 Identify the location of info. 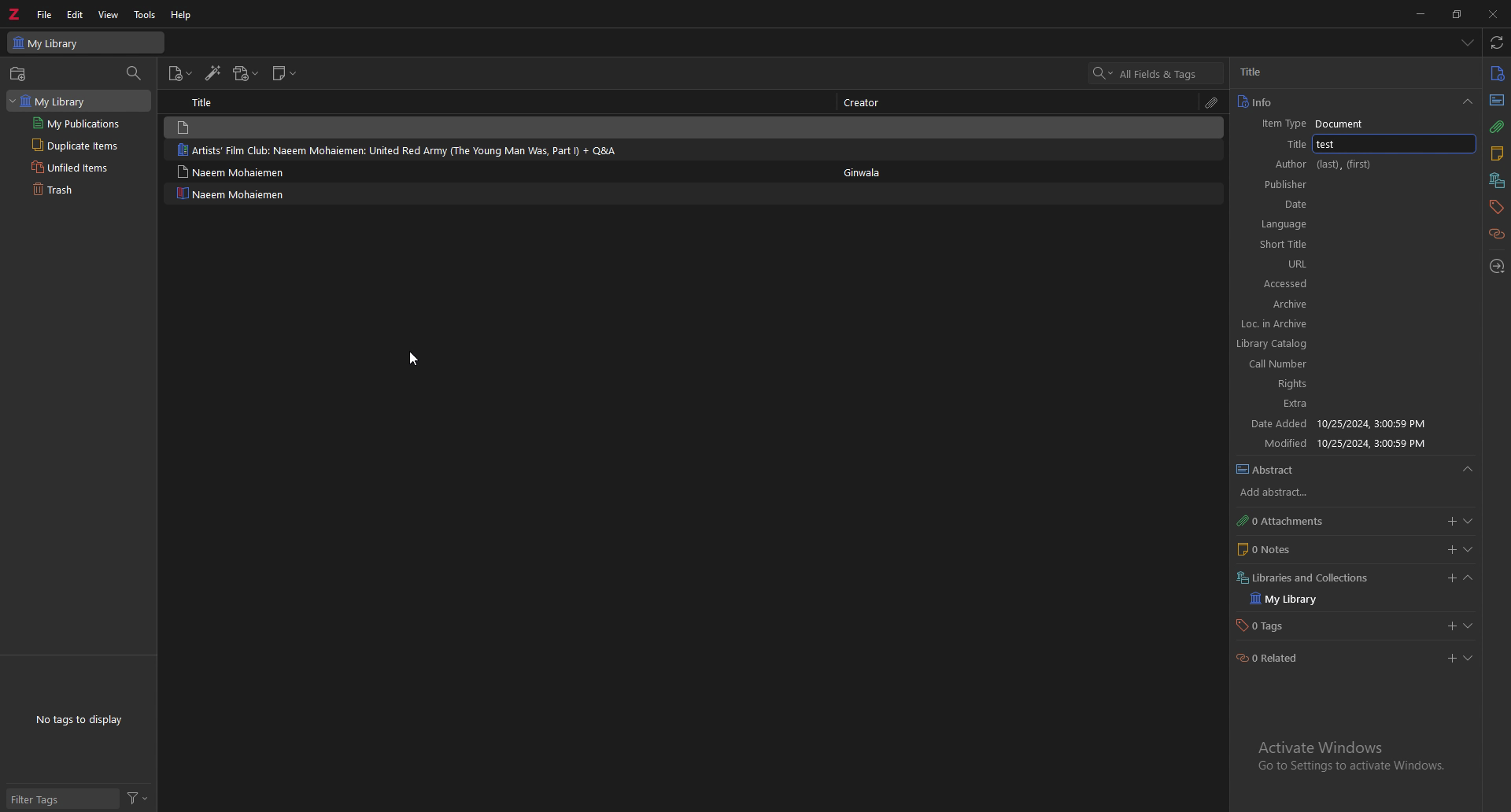
(1498, 72).